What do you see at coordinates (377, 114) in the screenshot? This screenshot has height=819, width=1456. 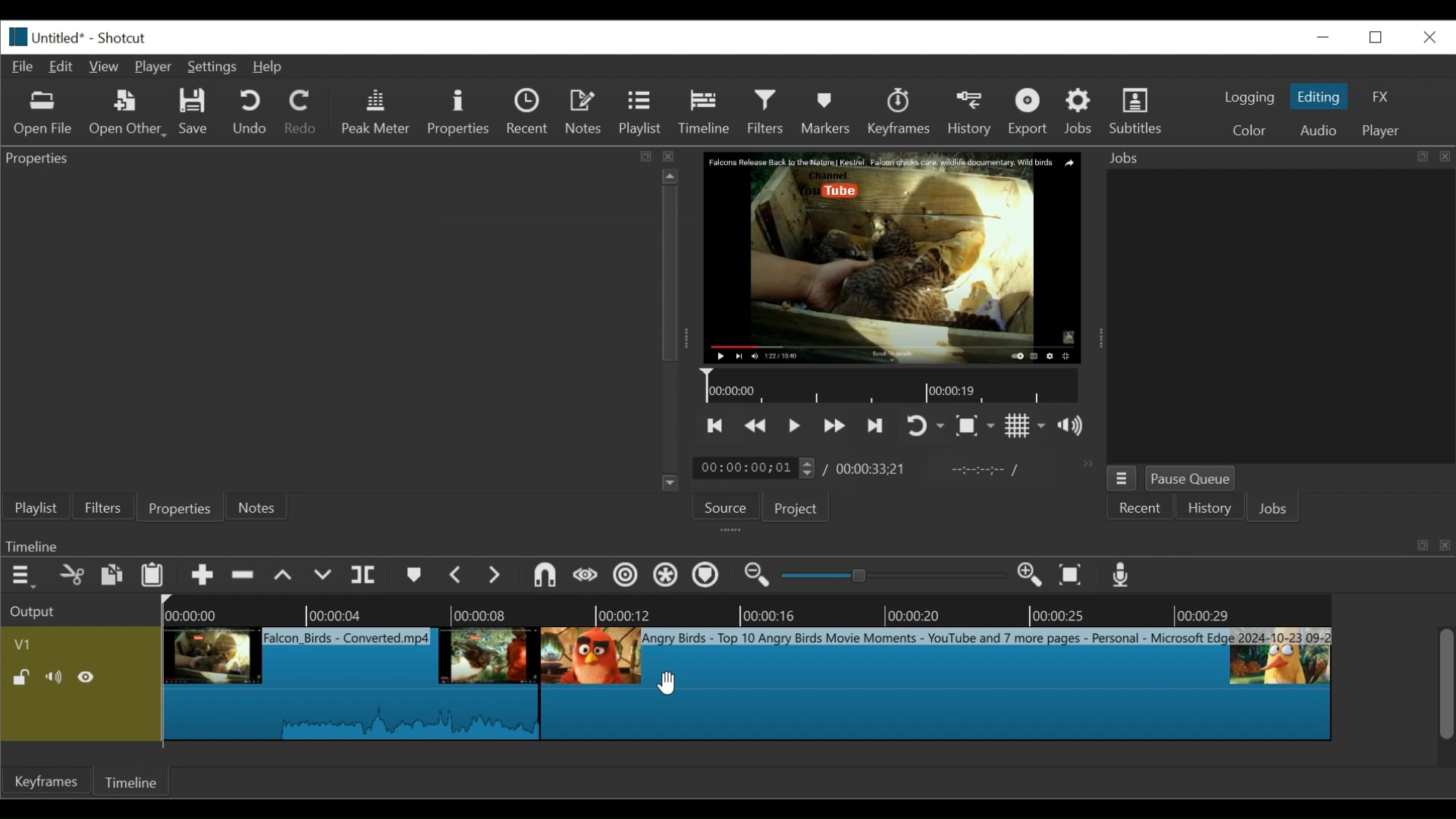 I see `Peak Meter` at bounding box center [377, 114].